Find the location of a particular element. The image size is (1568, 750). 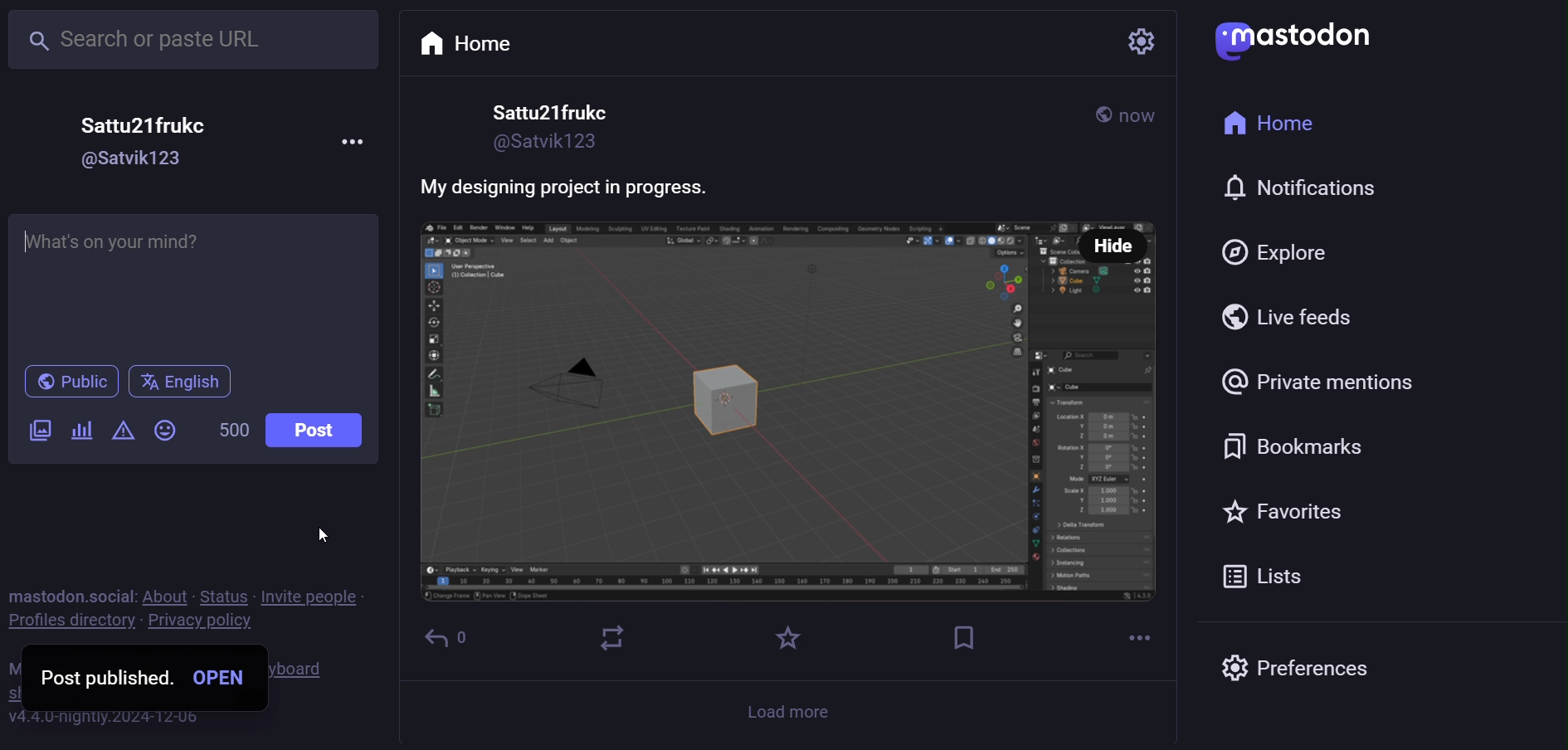

profile is located at coordinates (68, 622).